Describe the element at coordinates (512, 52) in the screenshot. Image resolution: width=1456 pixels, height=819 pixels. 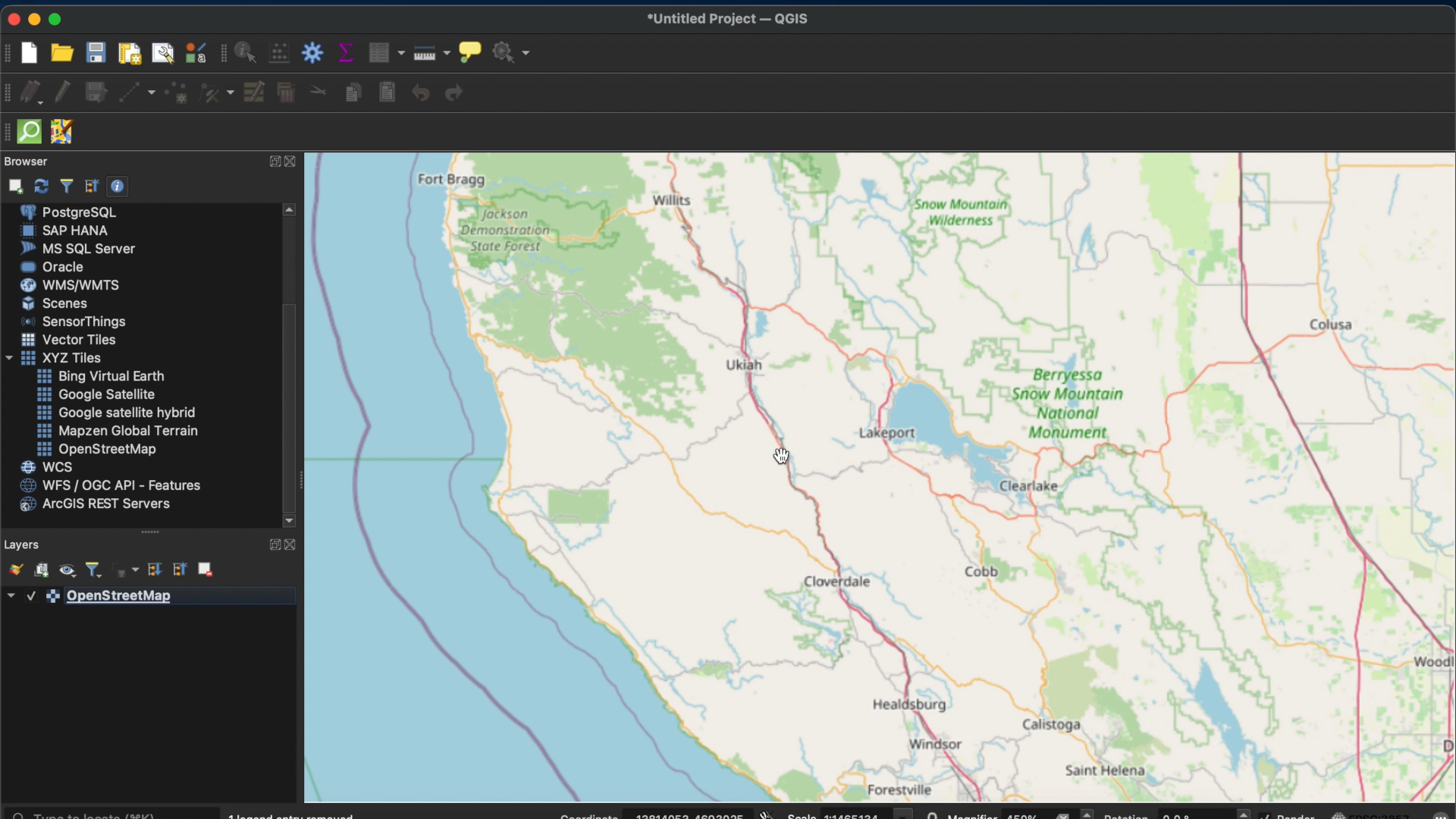
I see `no action selected` at that location.